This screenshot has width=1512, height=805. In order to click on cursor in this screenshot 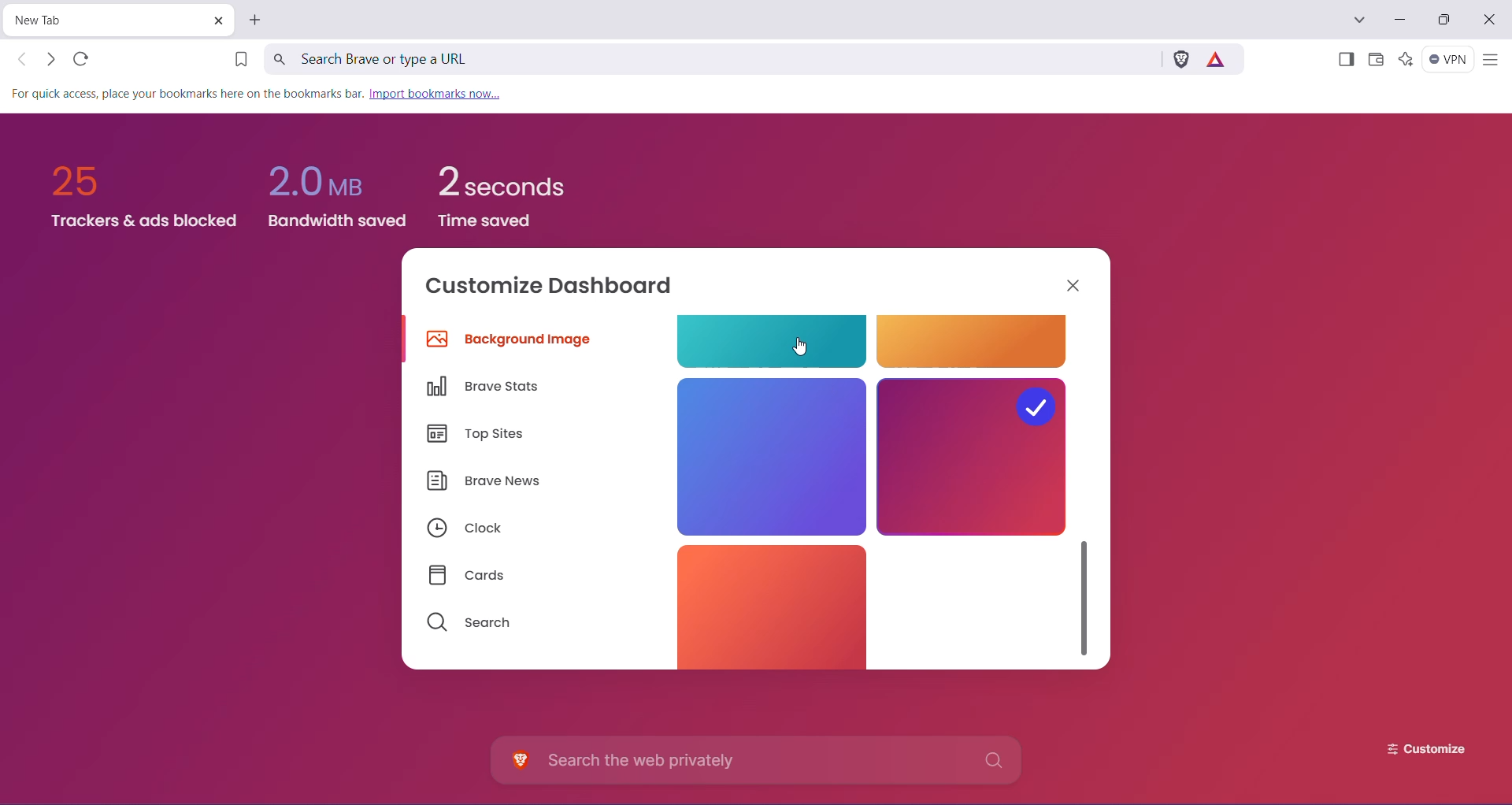, I will do `click(803, 348)`.